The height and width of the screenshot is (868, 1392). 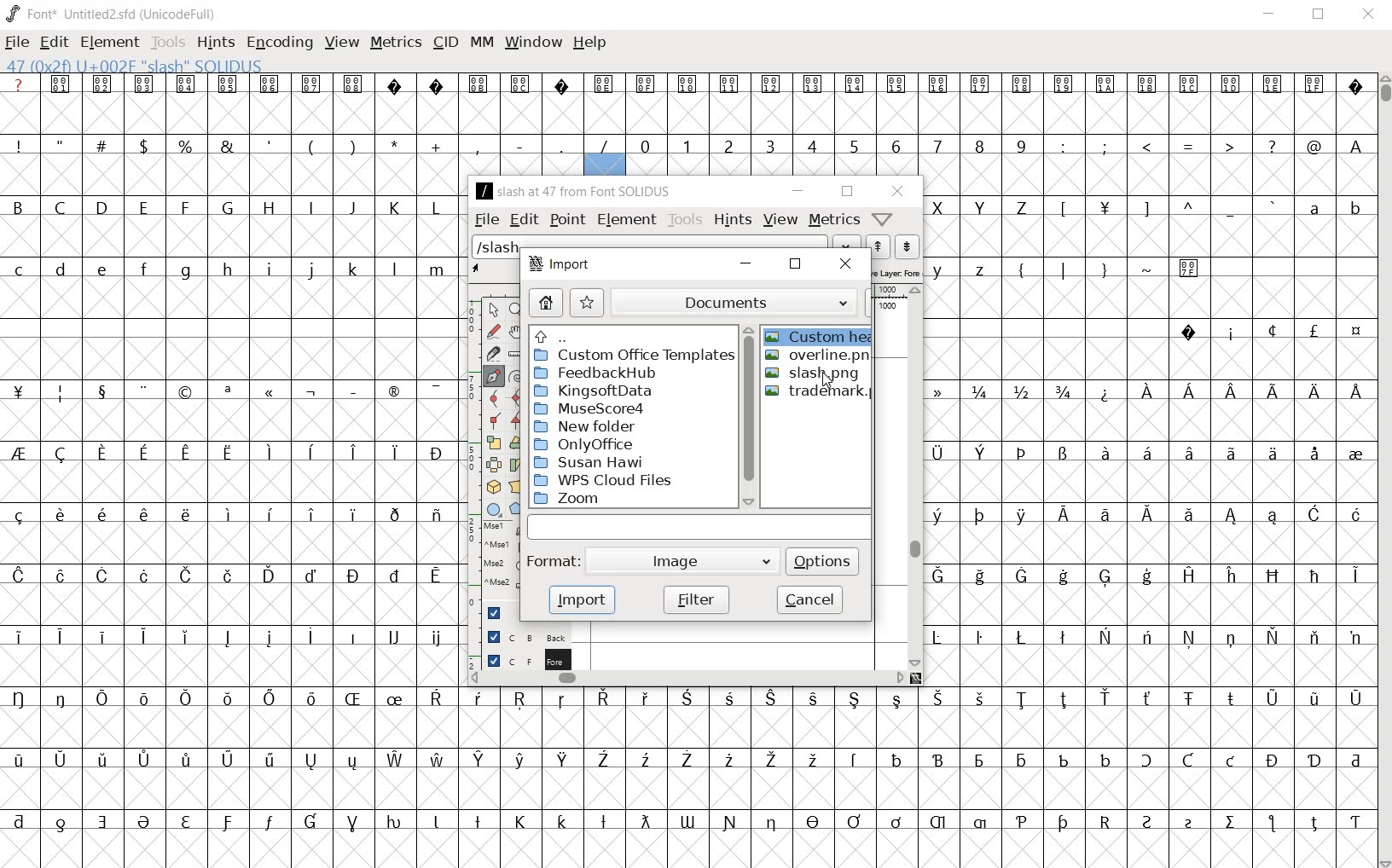 What do you see at coordinates (515, 488) in the screenshot?
I see `perform a perspective transformation on the selection` at bounding box center [515, 488].